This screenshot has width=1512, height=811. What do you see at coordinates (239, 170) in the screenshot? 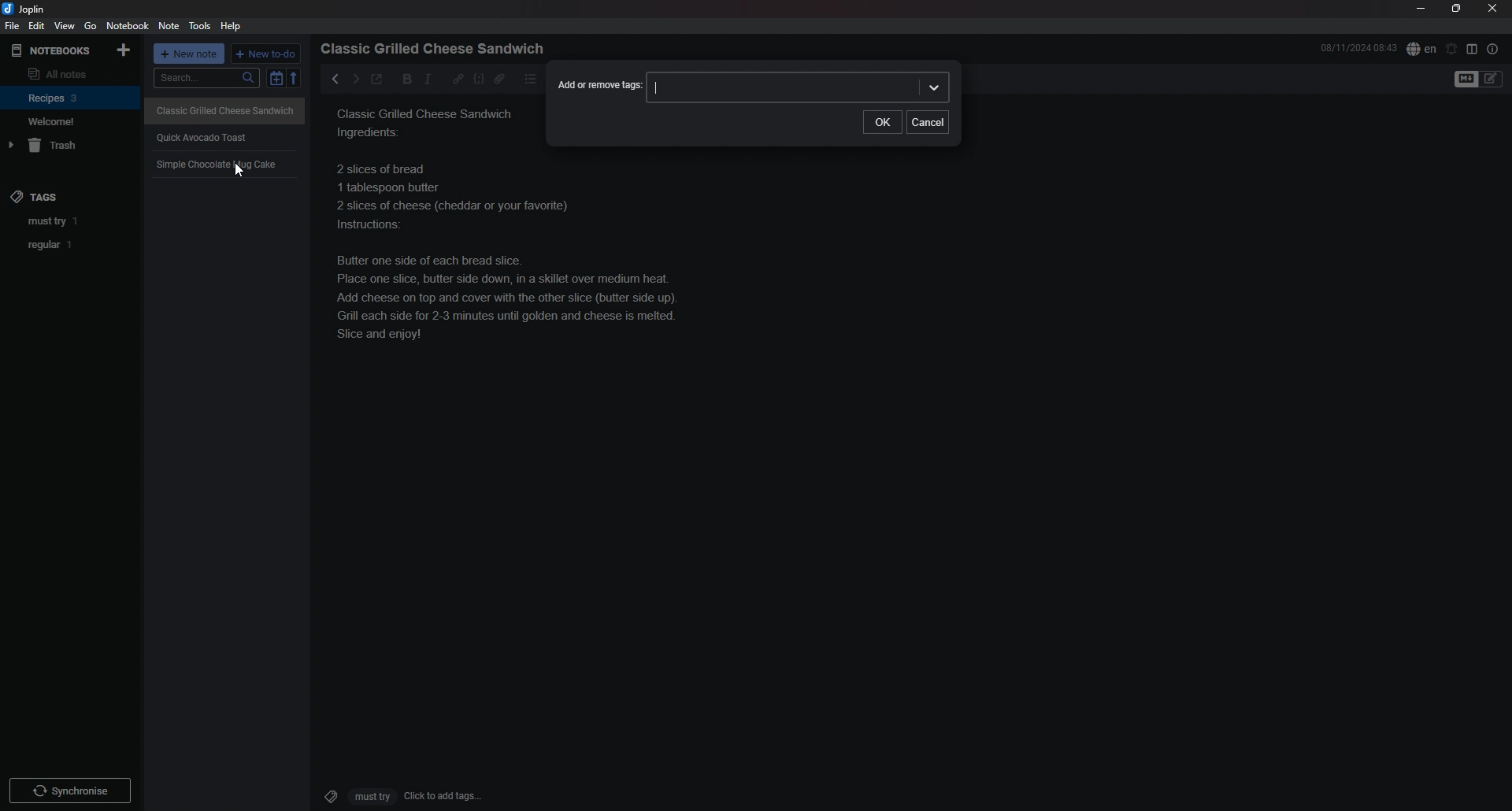
I see `cursor` at bounding box center [239, 170].